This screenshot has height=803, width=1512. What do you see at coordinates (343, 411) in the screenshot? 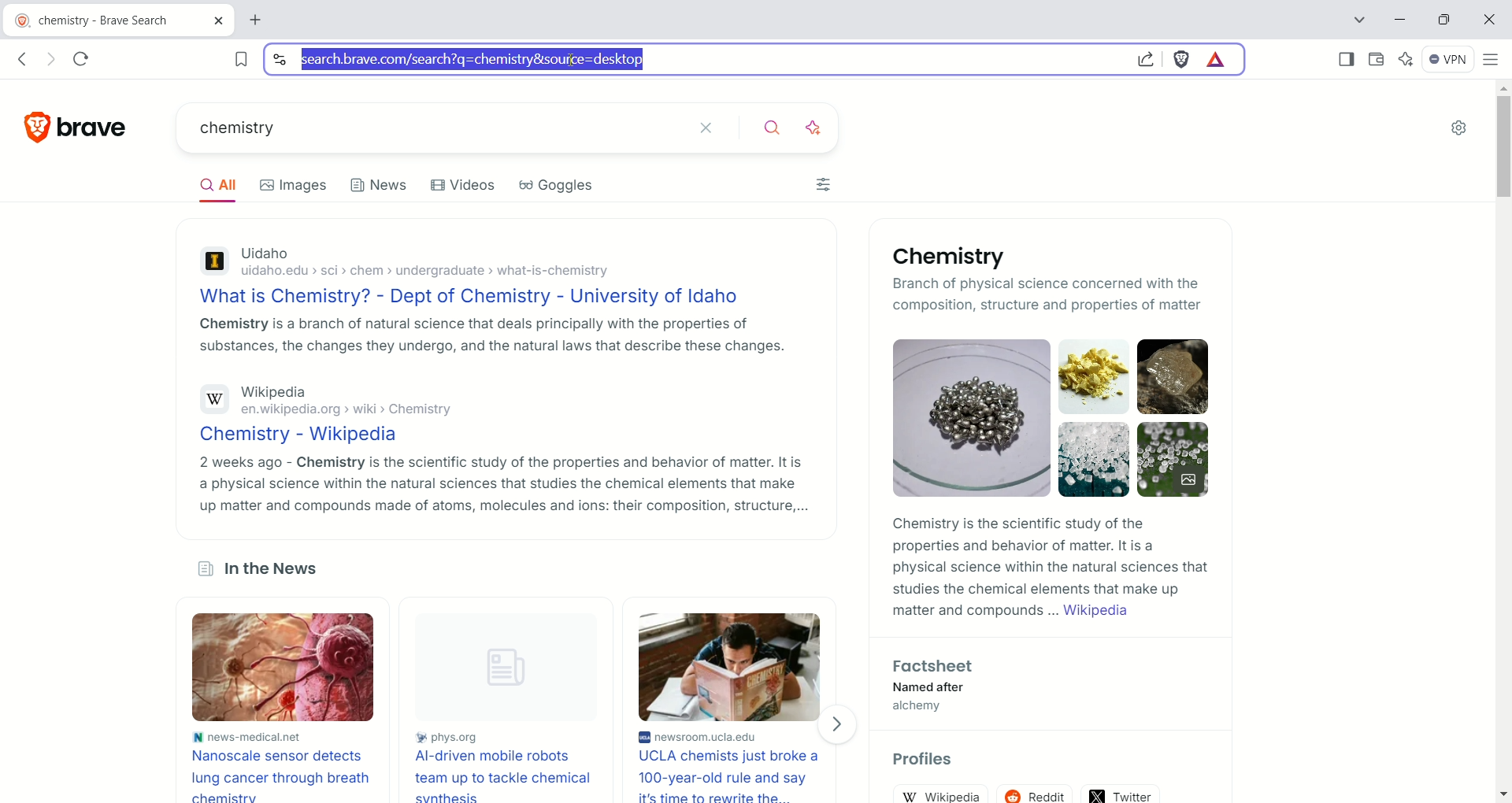
I see `en.wikipedia.org > wiki > Chemistry` at bounding box center [343, 411].